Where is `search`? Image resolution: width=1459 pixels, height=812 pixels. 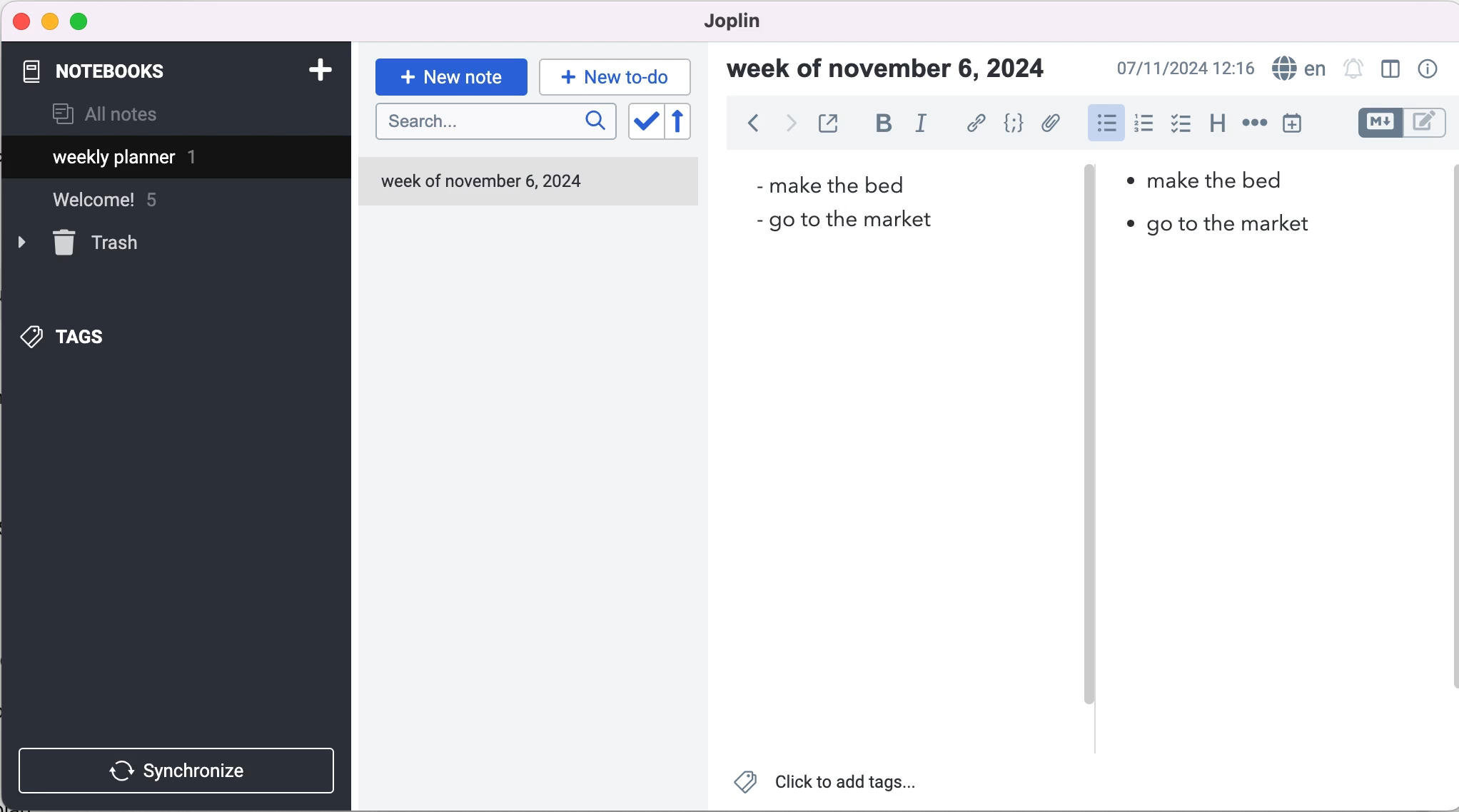
search is located at coordinates (495, 122).